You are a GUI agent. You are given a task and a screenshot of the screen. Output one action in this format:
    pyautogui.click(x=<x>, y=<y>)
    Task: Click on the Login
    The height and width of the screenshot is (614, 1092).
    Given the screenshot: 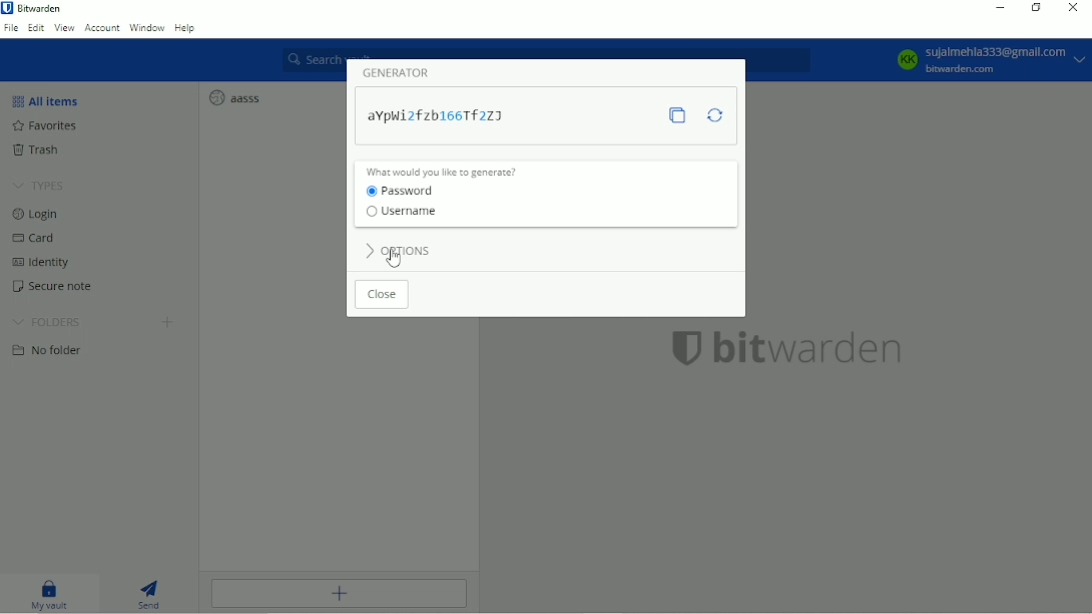 What is the action you would take?
    pyautogui.click(x=36, y=215)
    